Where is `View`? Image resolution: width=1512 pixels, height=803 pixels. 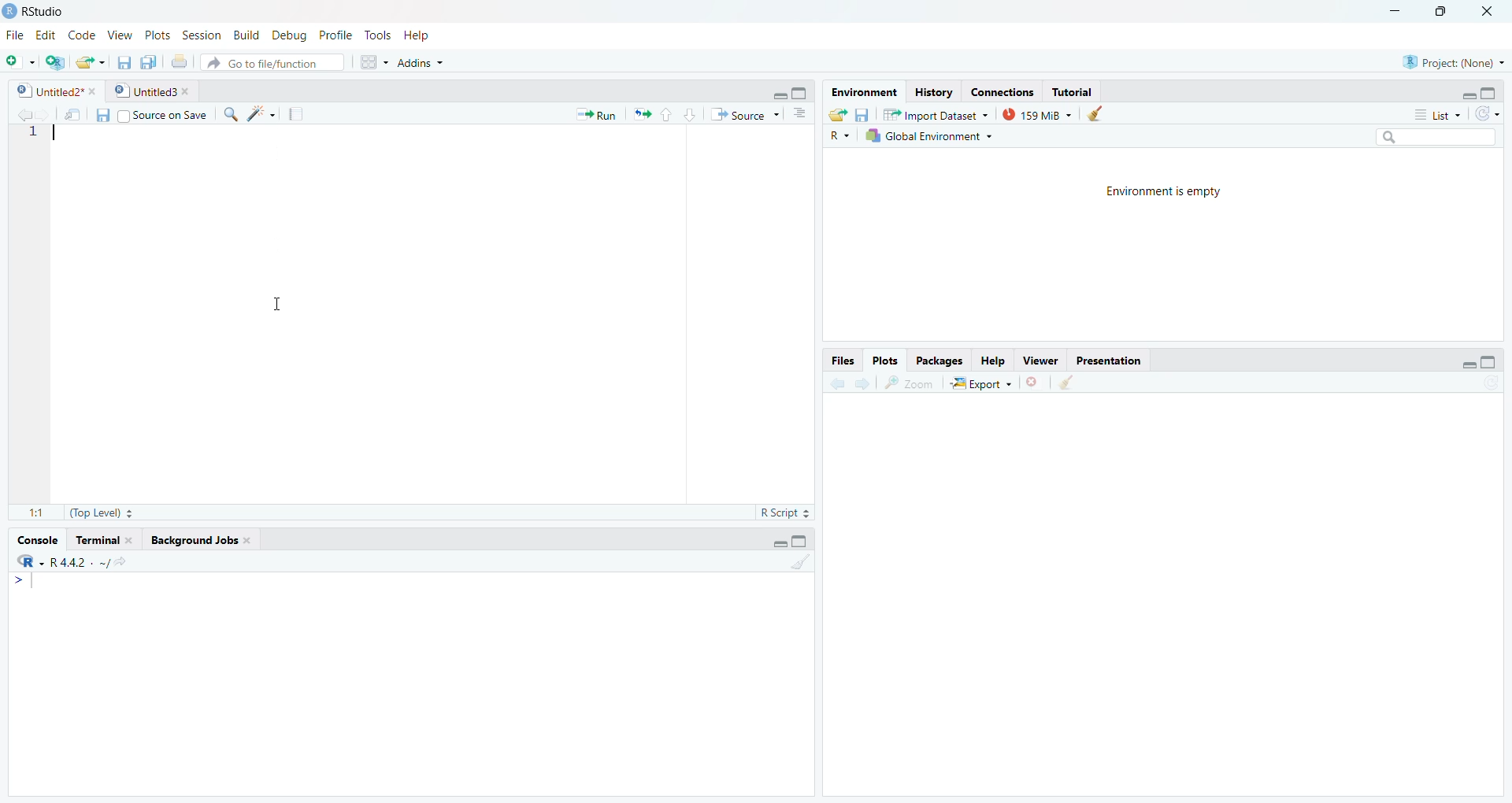 View is located at coordinates (121, 35).